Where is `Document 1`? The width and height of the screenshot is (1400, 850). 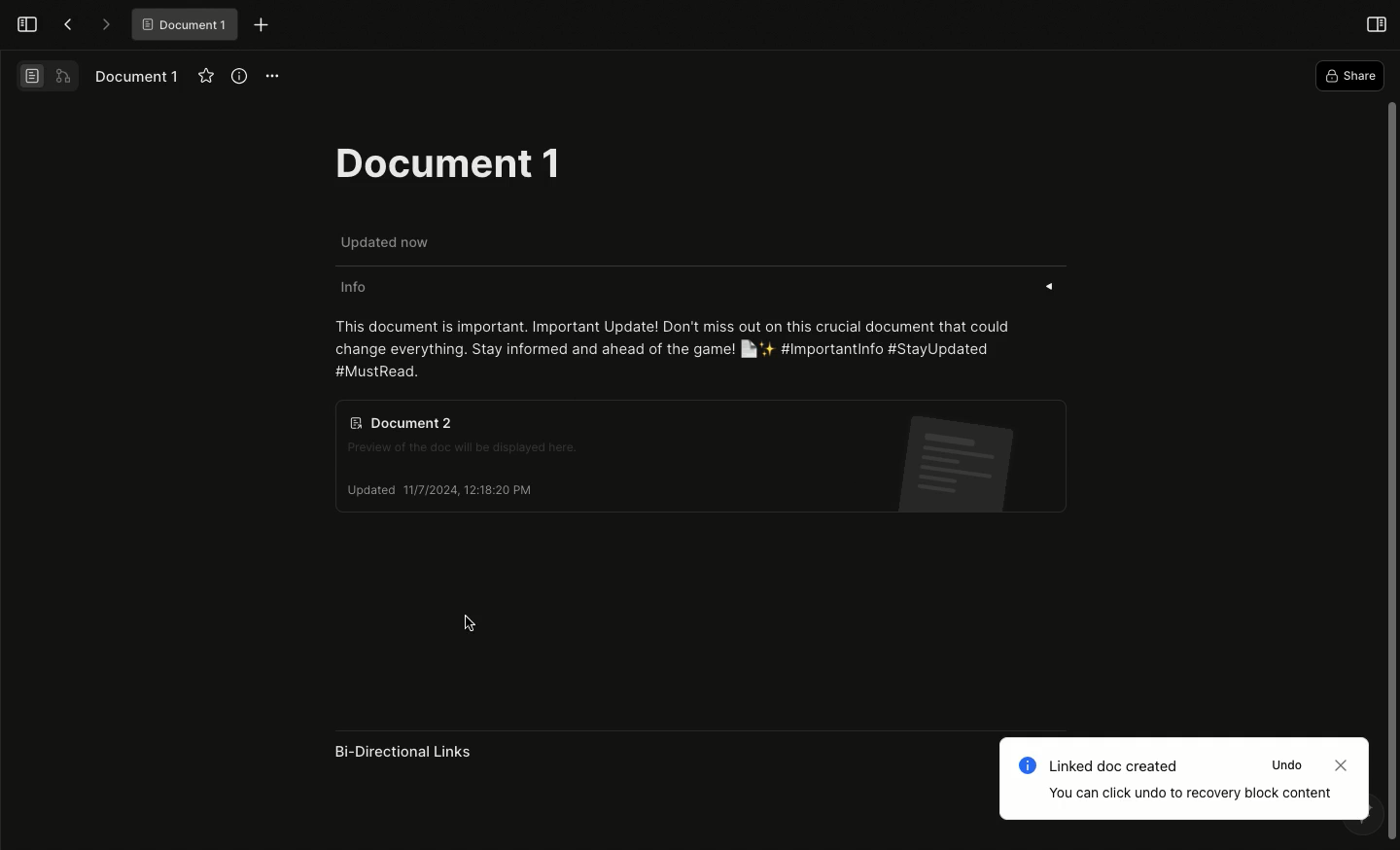 Document 1 is located at coordinates (445, 161).